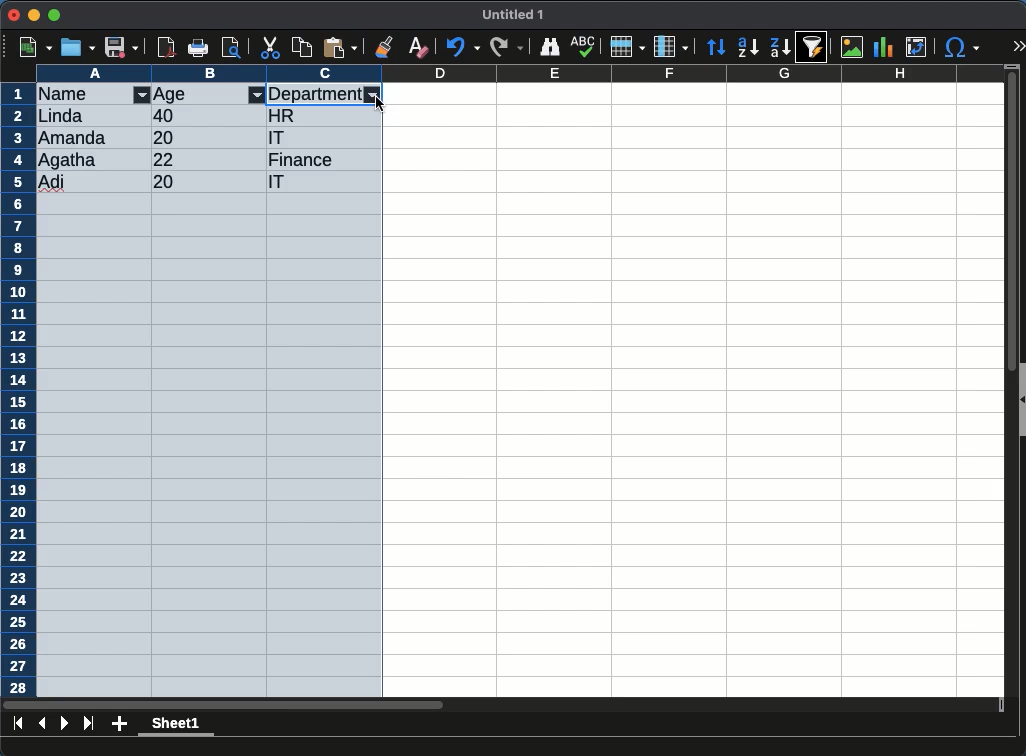 The height and width of the screenshot is (756, 1026). What do you see at coordinates (177, 726) in the screenshot?
I see `sheet 1` at bounding box center [177, 726].